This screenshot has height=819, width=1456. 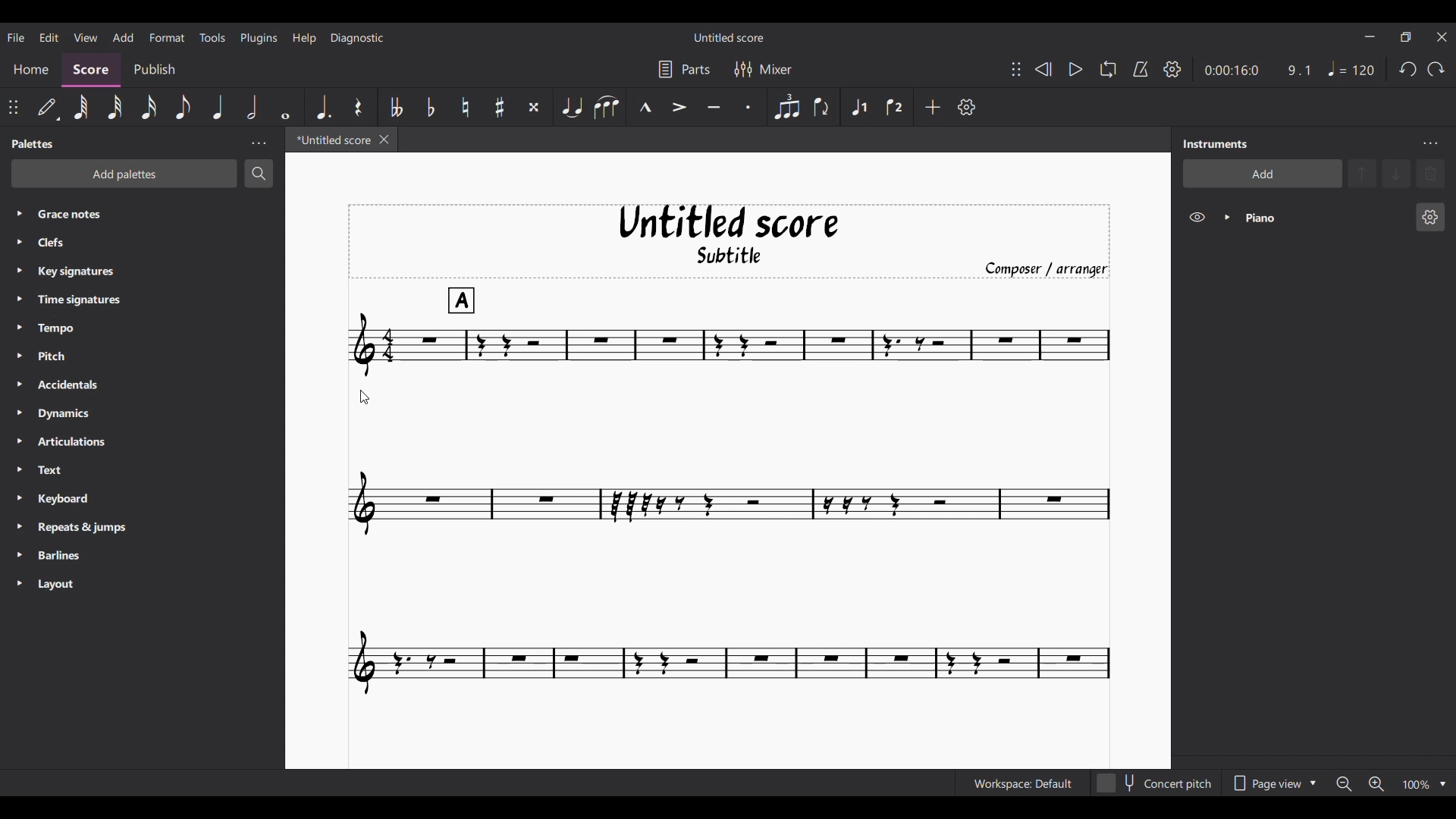 What do you see at coordinates (933, 107) in the screenshot?
I see `Add` at bounding box center [933, 107].